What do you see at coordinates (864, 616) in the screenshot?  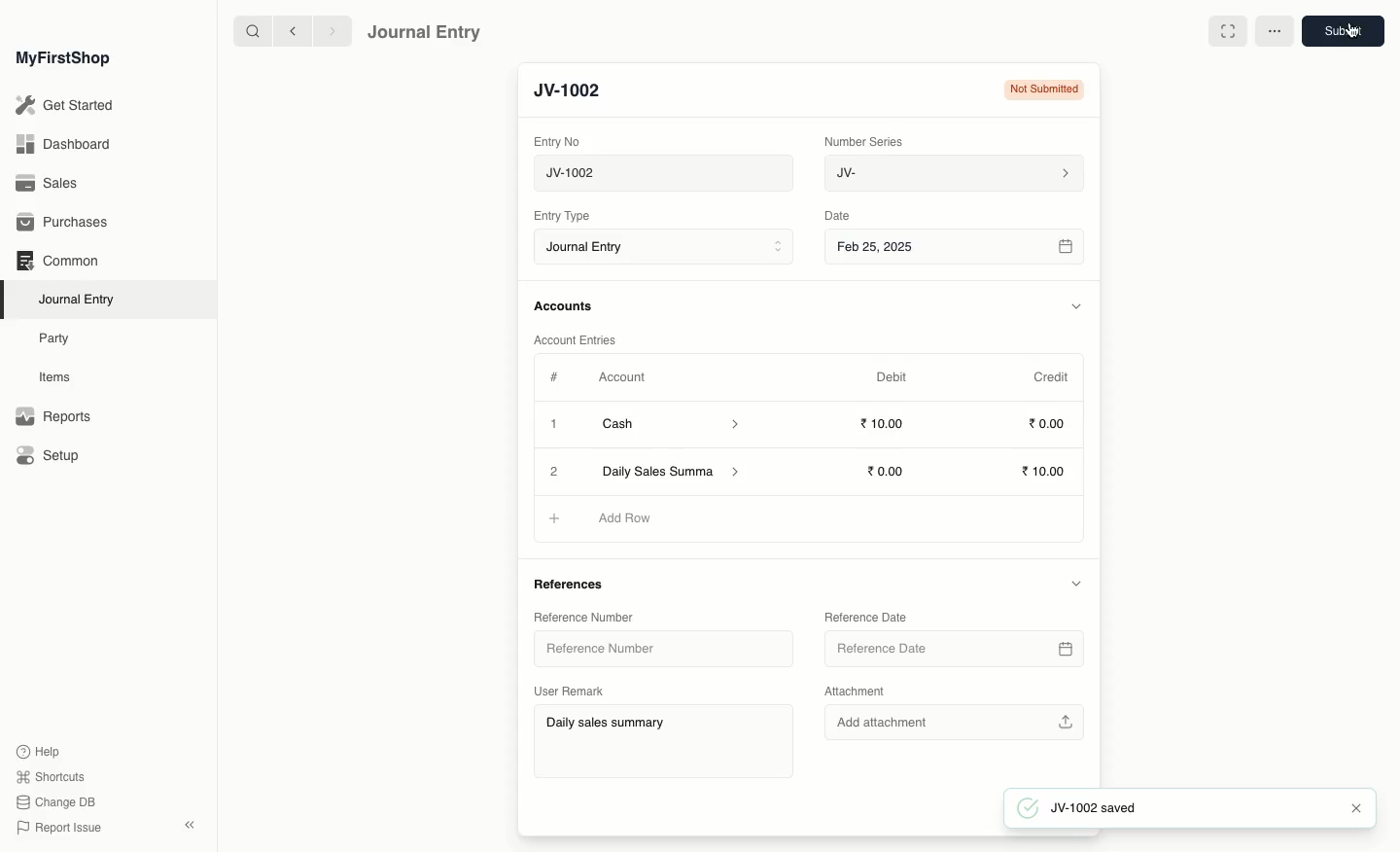 I see `Reference Date` at bounding box center [864, 616].